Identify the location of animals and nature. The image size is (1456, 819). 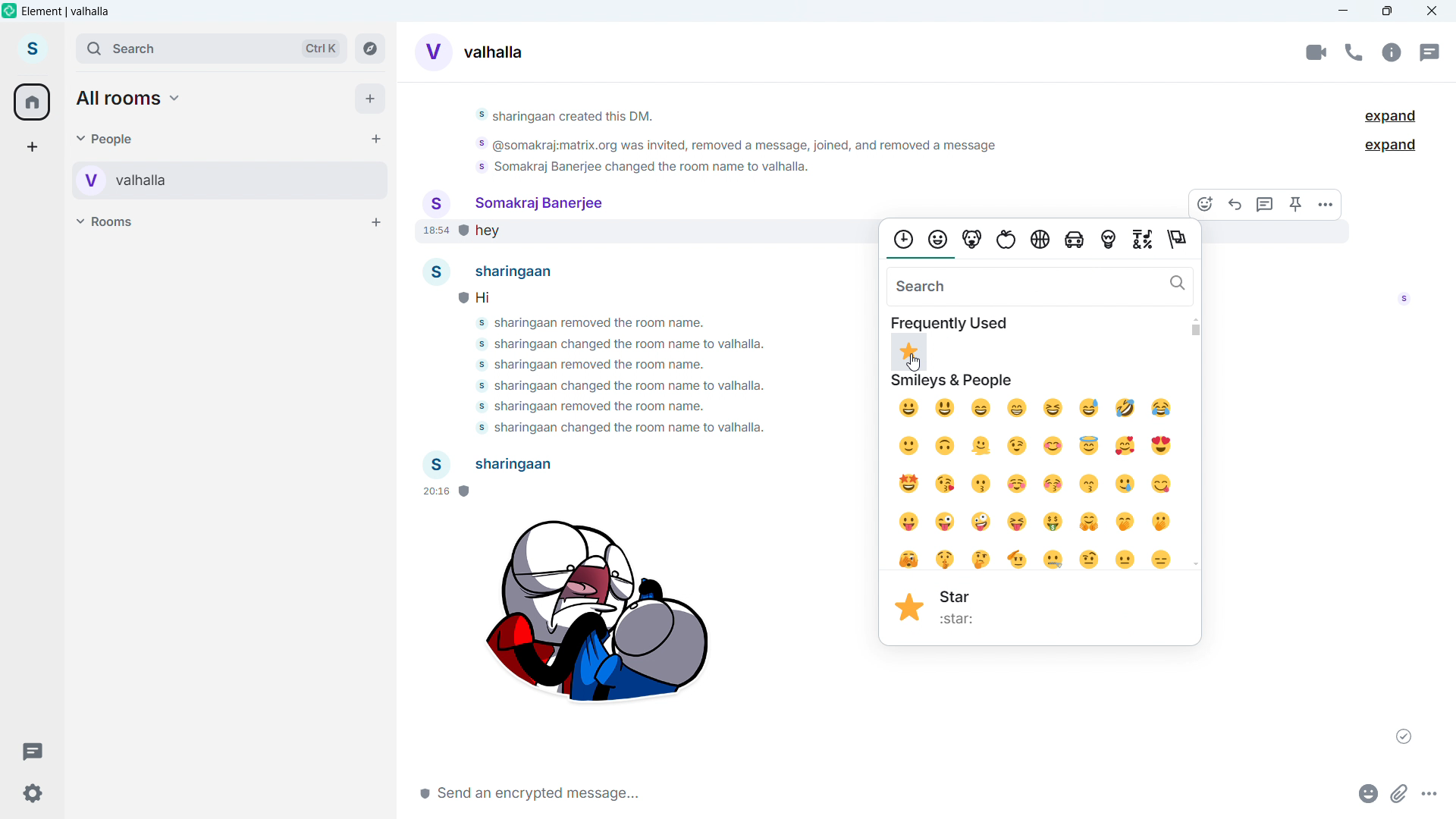
(974, 240).